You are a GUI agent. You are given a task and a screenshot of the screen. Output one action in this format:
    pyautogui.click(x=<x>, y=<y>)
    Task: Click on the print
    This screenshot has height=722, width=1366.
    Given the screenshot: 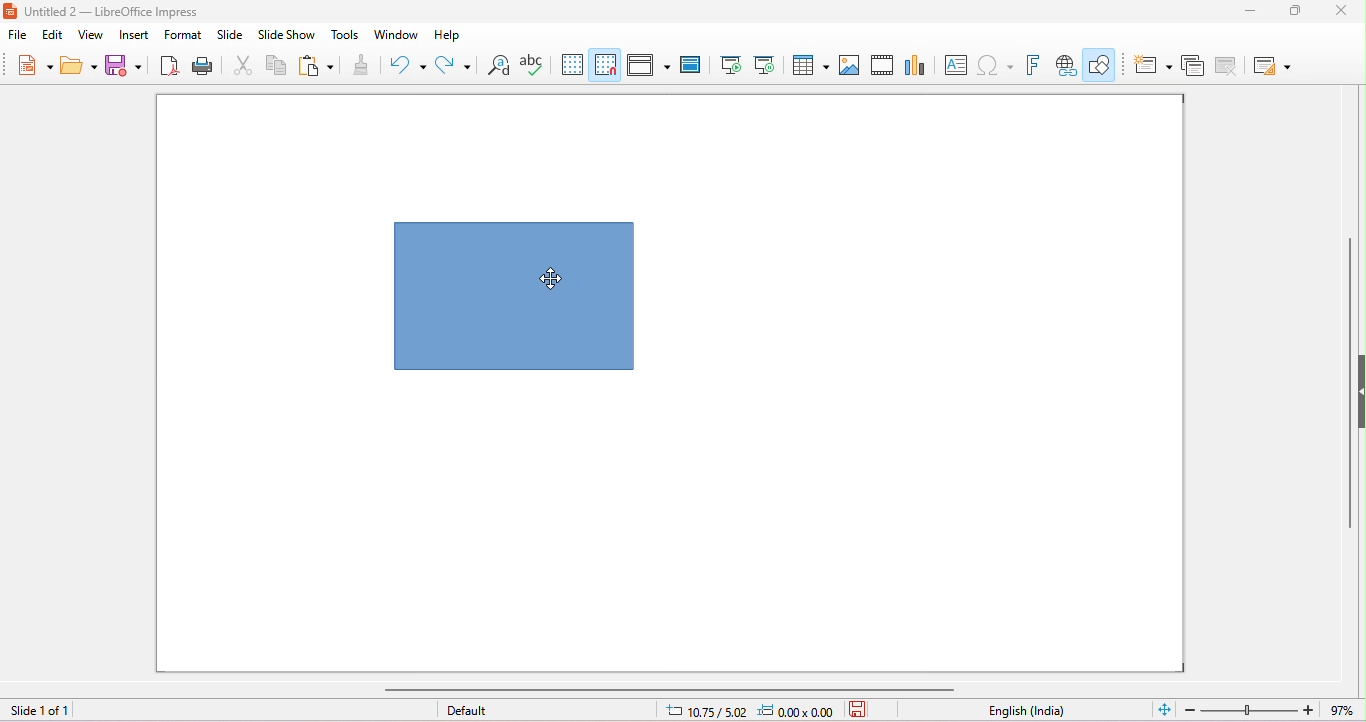 What is the action you would take?
    pyautogui.click(x=201, y=64)
    